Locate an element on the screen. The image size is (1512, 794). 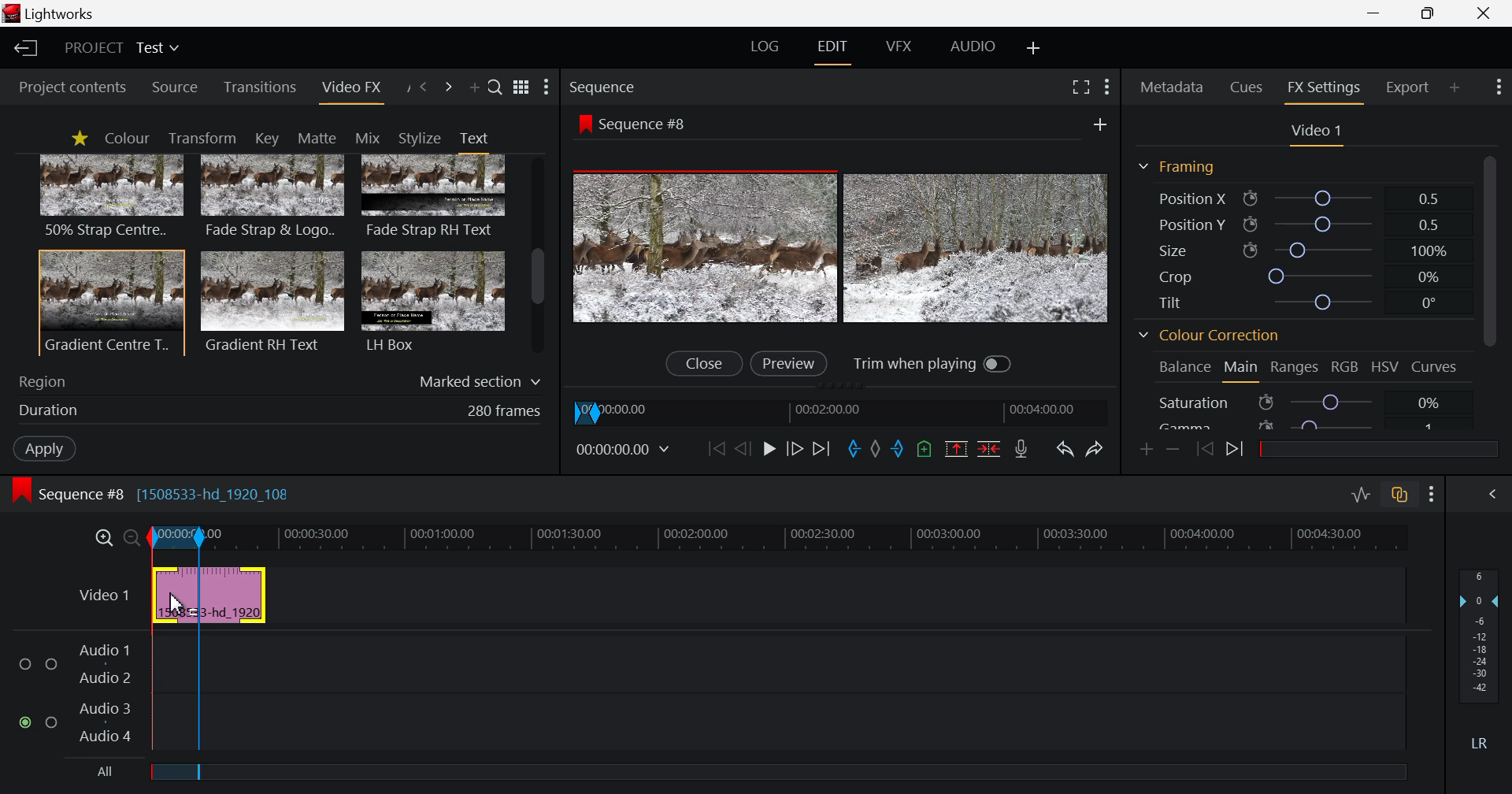
Video Settings is located at coordinates (1317, 132).